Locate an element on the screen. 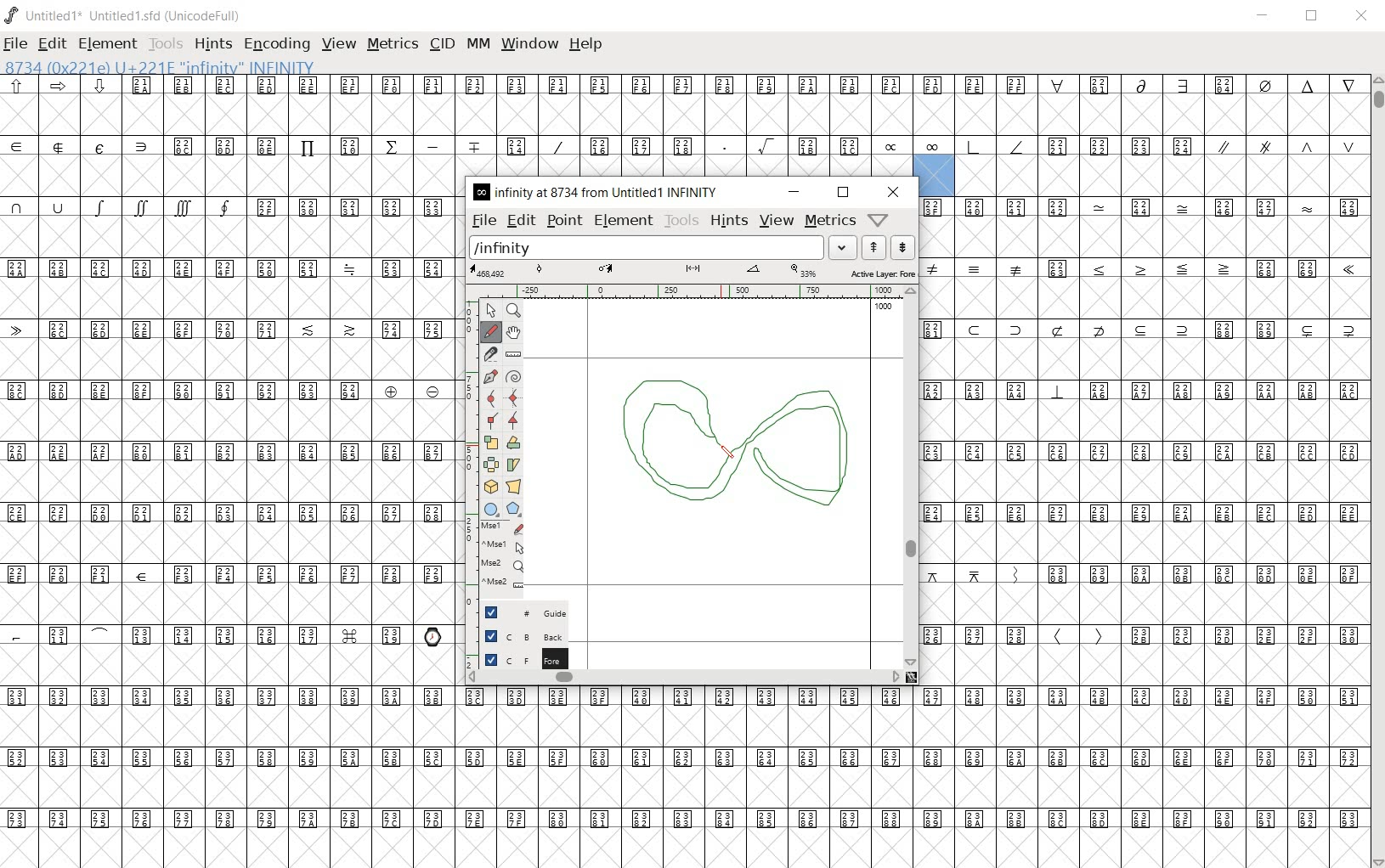  edit is located at coordinates (51, 43).